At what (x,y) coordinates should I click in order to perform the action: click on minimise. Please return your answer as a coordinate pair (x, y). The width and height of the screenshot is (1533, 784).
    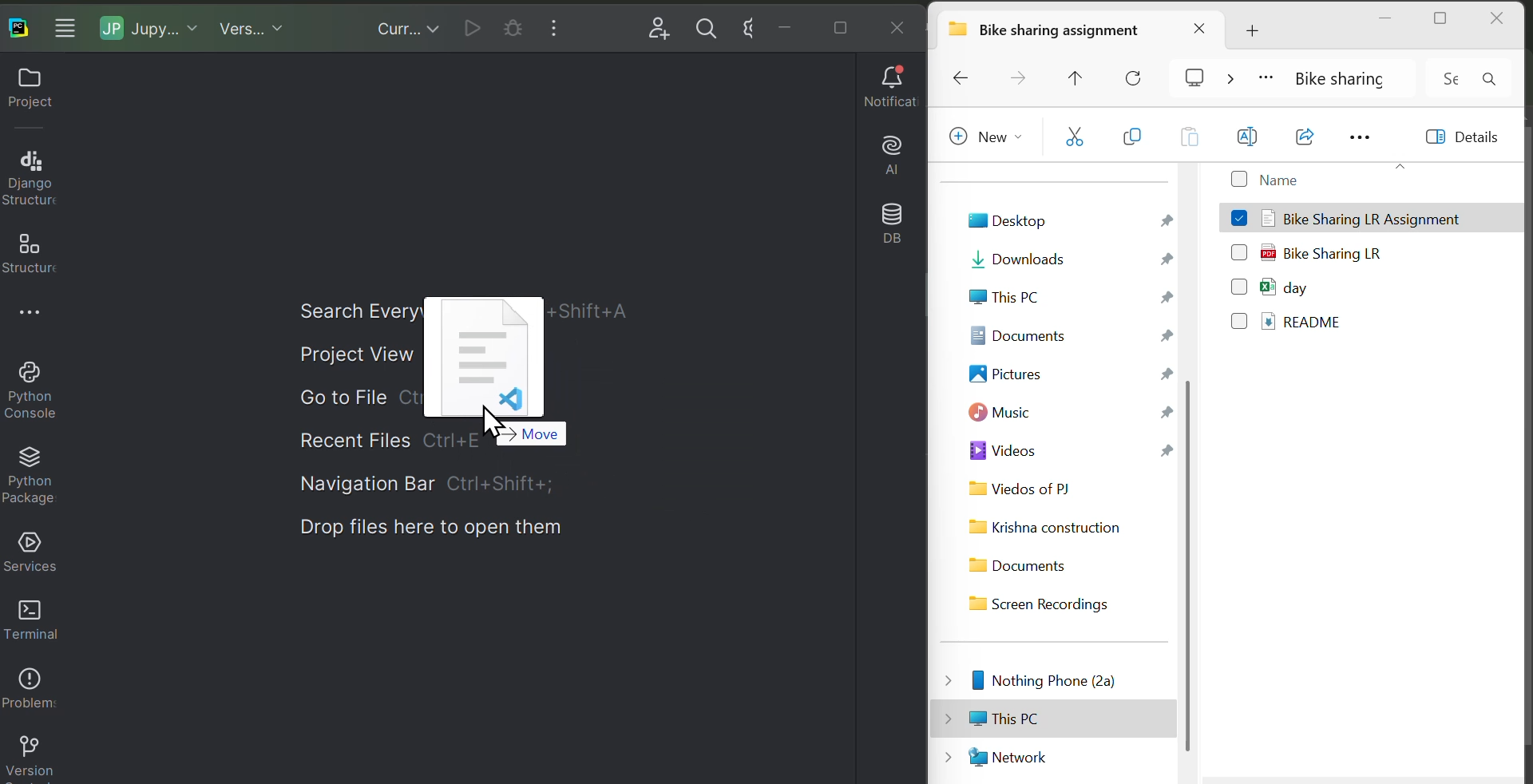
    Looking at the image, I should click on (788, 27).